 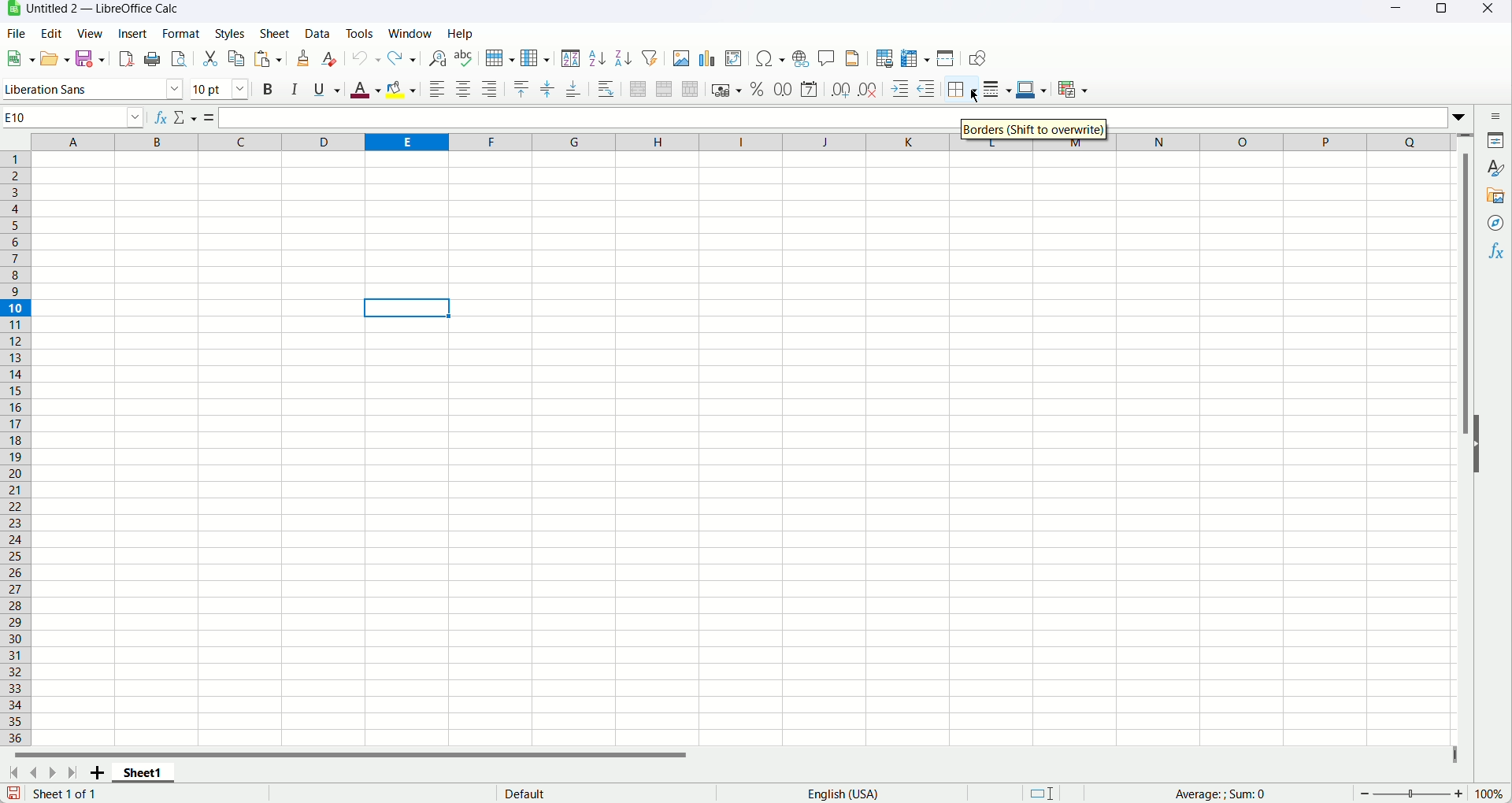 What do you see at coordinates (960, 89) in the screenshot?
I see `Borders` at bounding box center [960, 89].